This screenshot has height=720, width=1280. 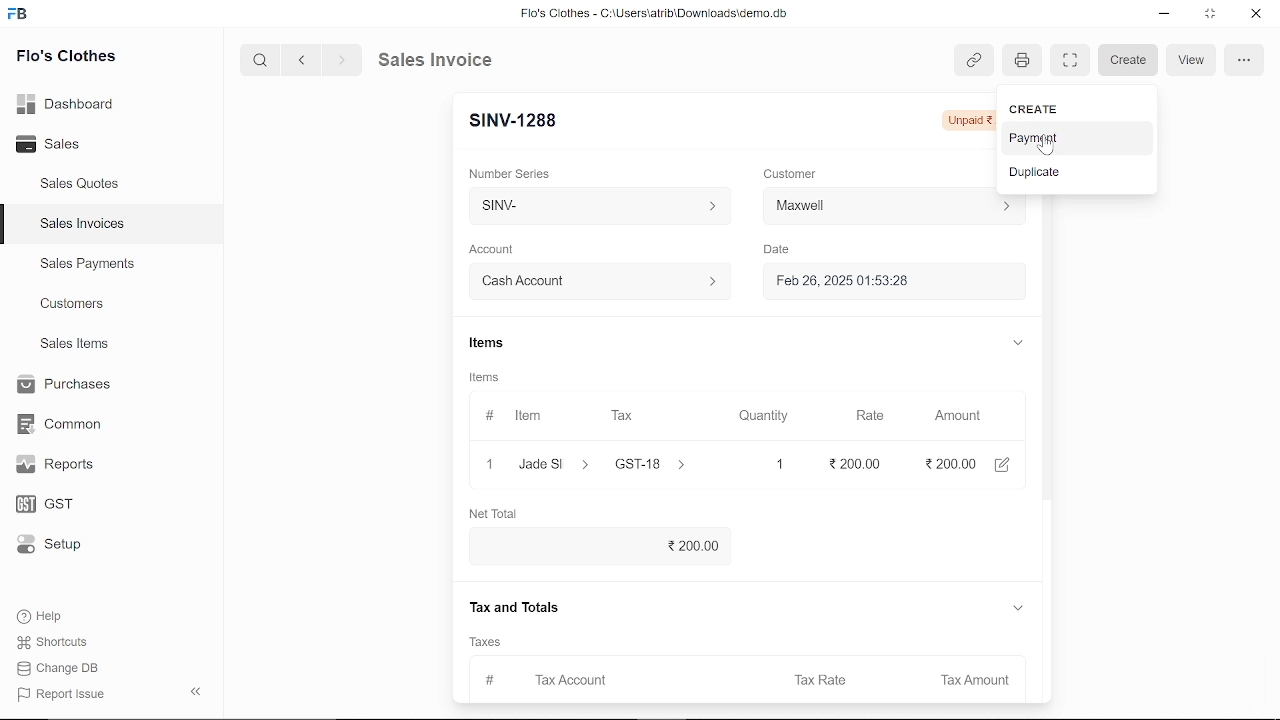 I want to click on close, so click(x=488, y=463).